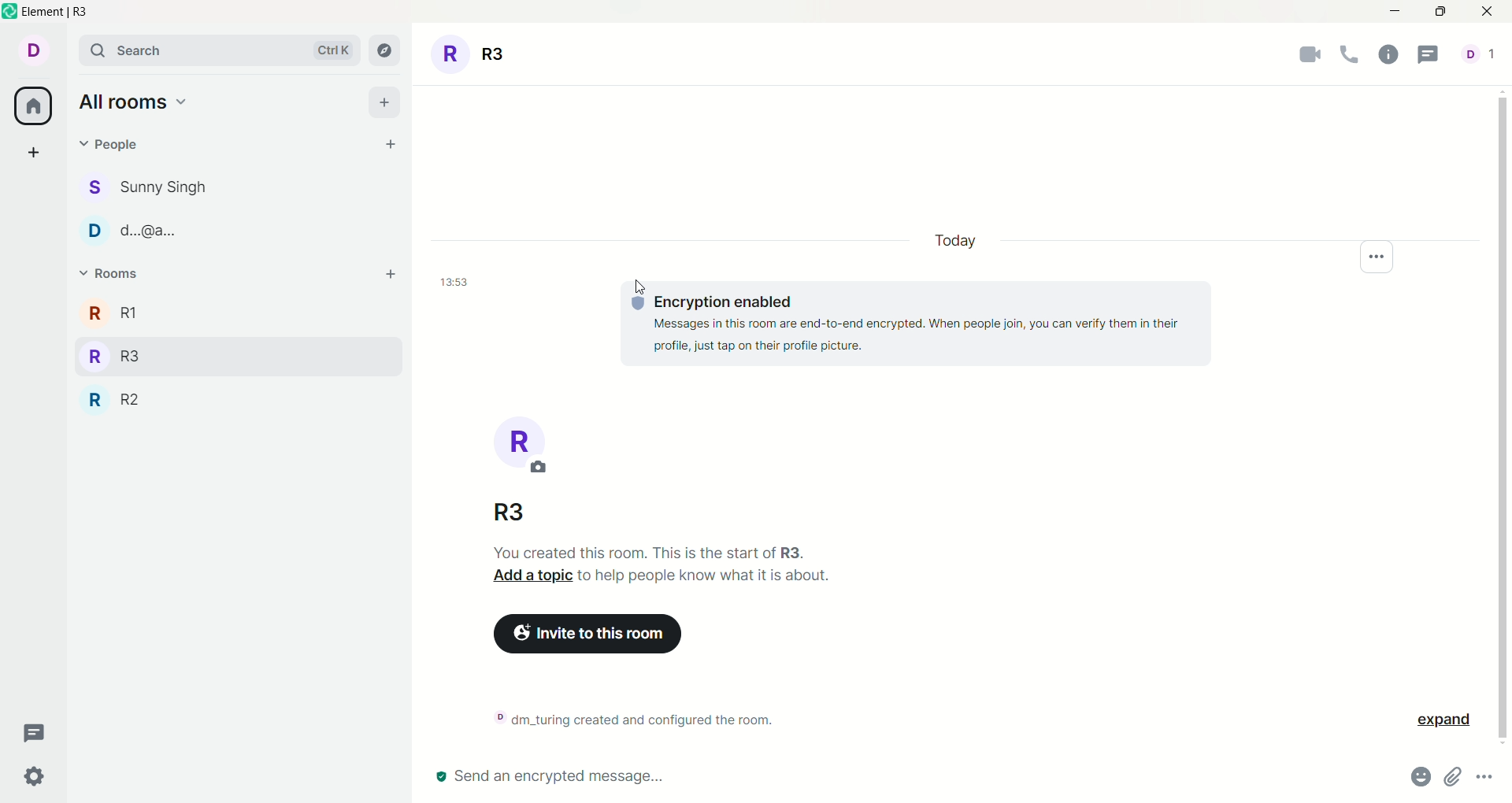  Describe the element at coordinates (384, 101) in the screenshot. I see `add` at that location.